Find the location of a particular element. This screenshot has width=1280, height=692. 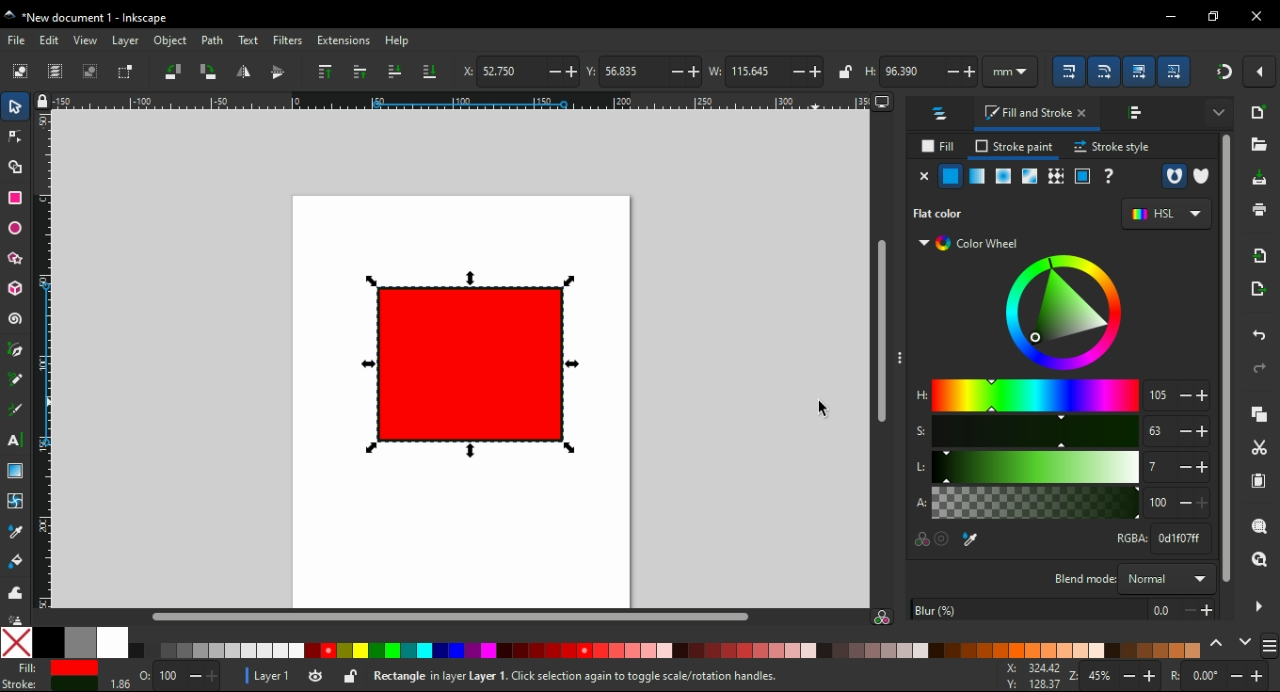

scroll bar is located at coordinates (1224, 363).